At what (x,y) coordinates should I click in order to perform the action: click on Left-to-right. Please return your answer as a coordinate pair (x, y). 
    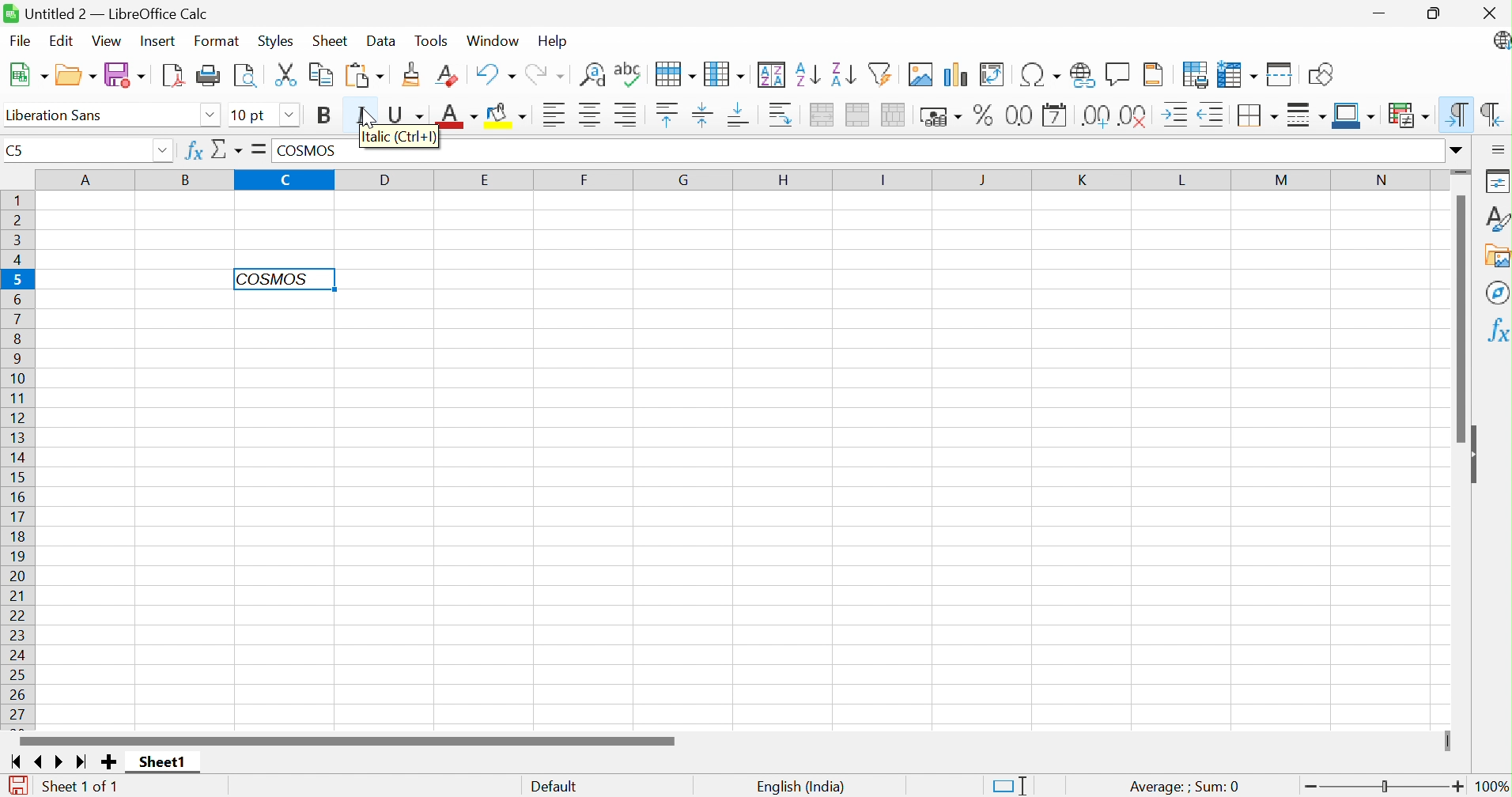
    Looking at the image, I should click on (1458, 113).